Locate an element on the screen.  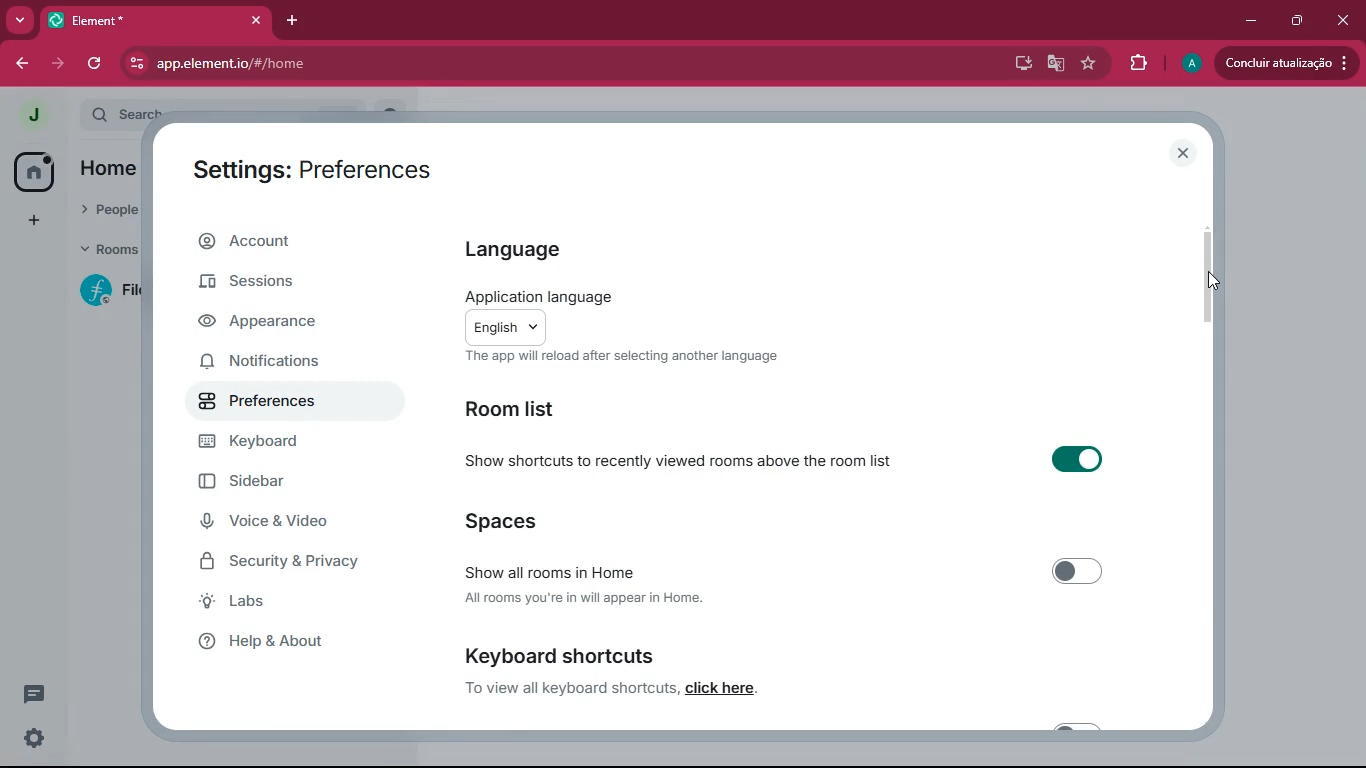
room list is located at coordinates (518, 409).